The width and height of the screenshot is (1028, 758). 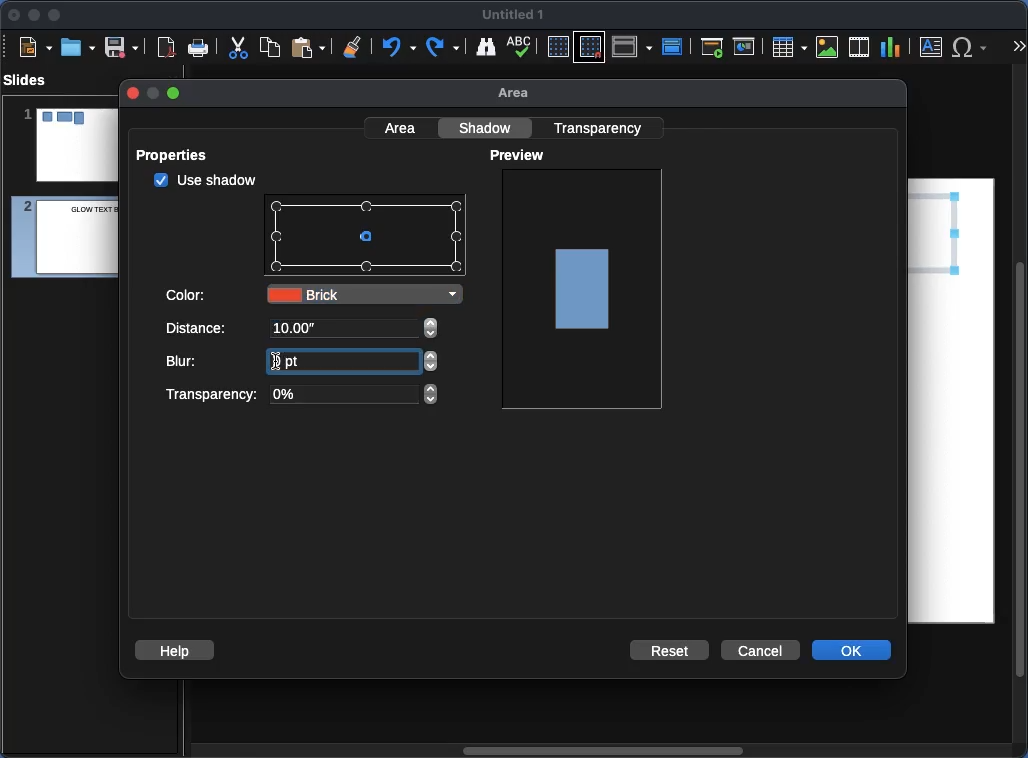 I want to click on Chart, so click(x=890, y=48).